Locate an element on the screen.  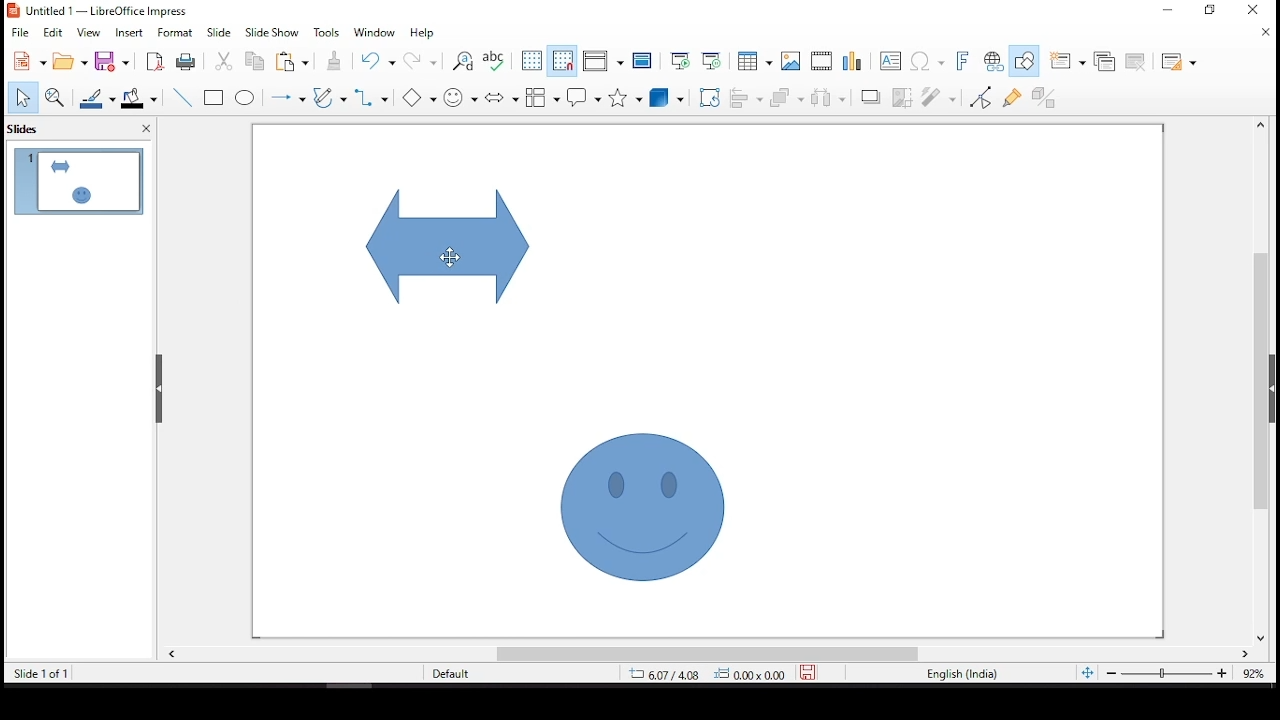
text box is located at coordinates (891, 62).